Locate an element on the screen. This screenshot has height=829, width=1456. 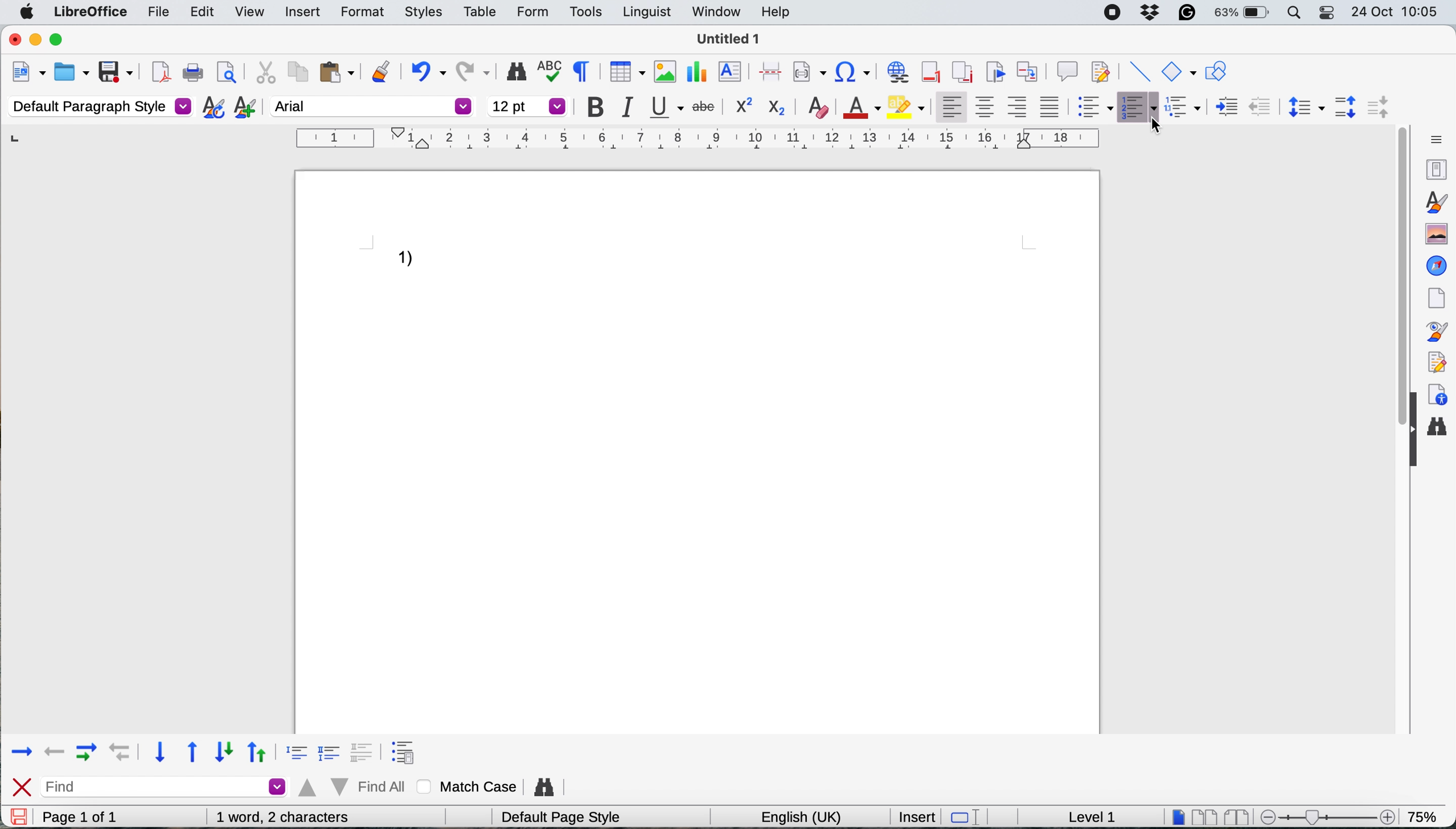
insert is located at coordinates (917, 816).